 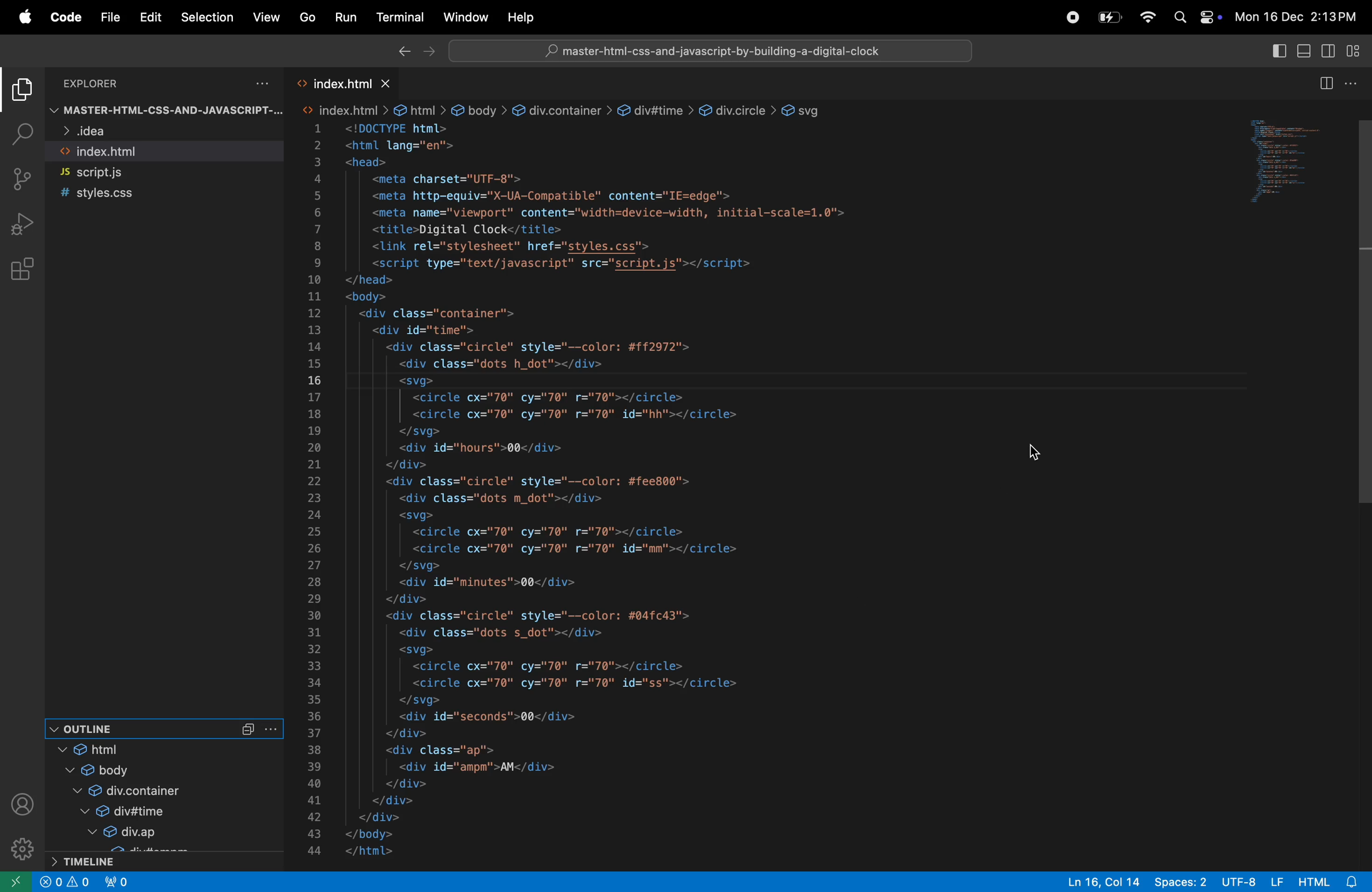 What do you see at coordinates (428, 52) in the screenshot?
I see `forward` at bounding box center [428, 52].